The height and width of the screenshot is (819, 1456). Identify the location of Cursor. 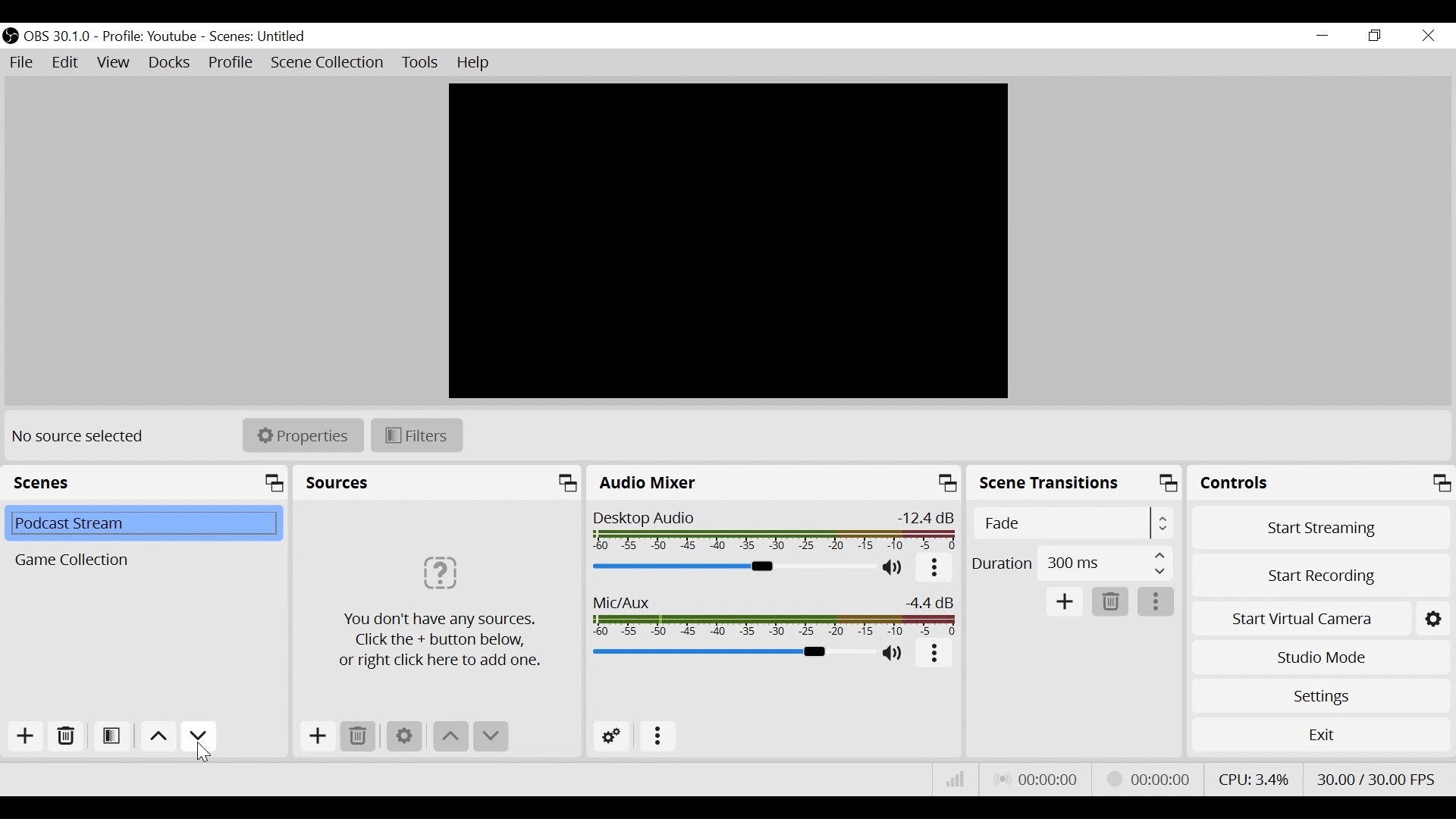
(202, 754).